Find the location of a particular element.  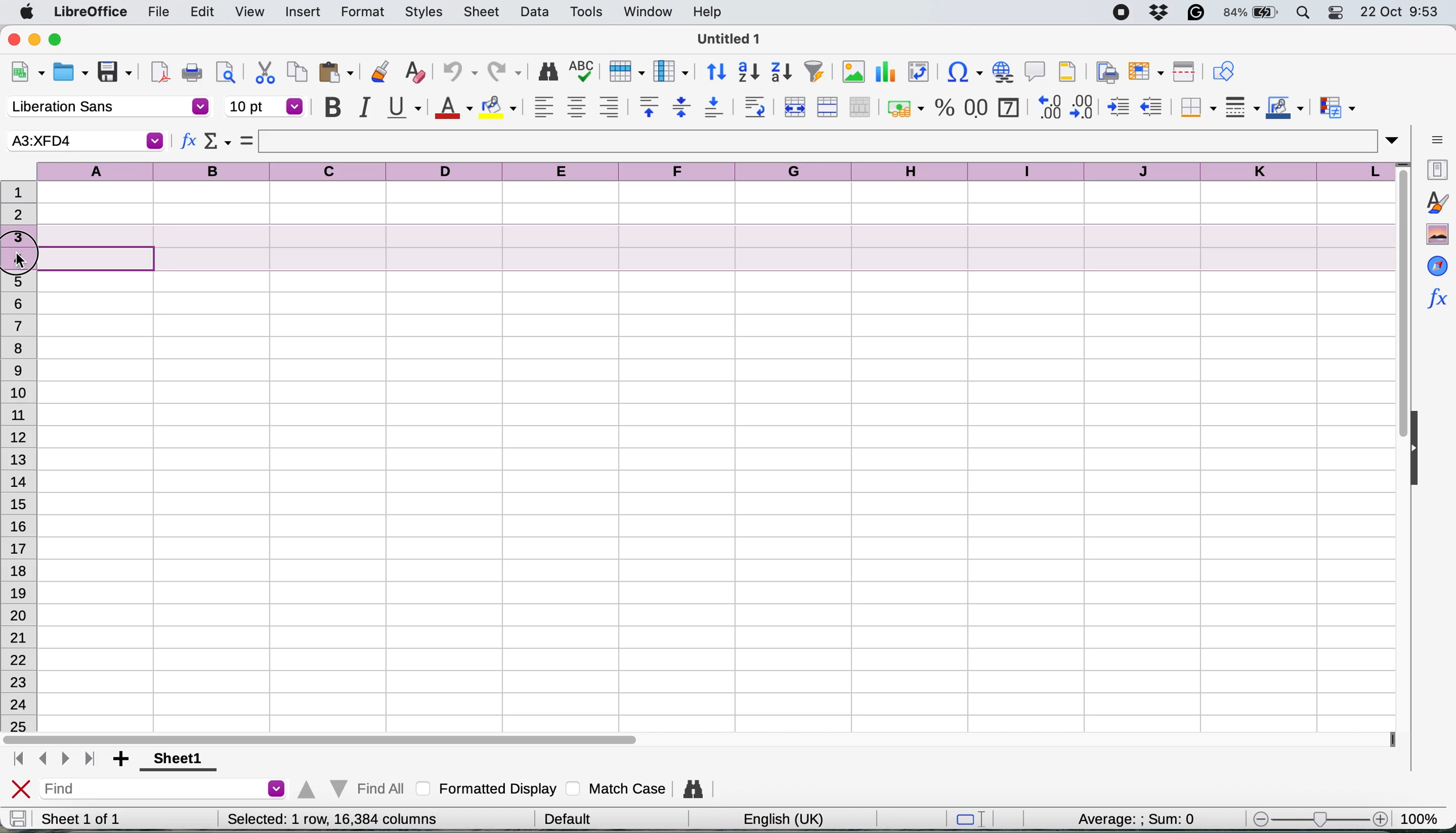

formatted display is located at coordinates (489, 787).